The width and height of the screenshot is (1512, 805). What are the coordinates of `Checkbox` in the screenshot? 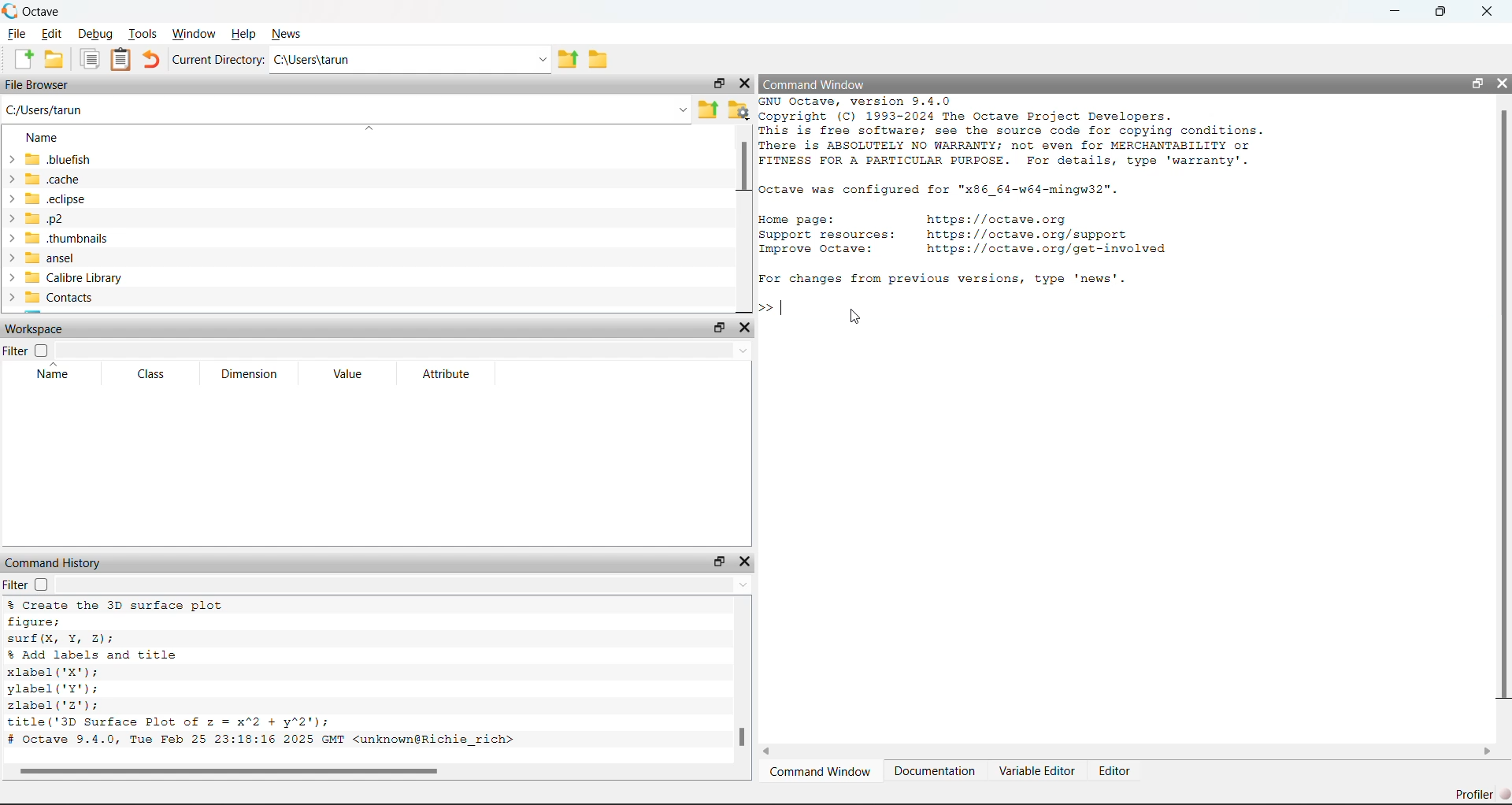 It's located at (42, 348).